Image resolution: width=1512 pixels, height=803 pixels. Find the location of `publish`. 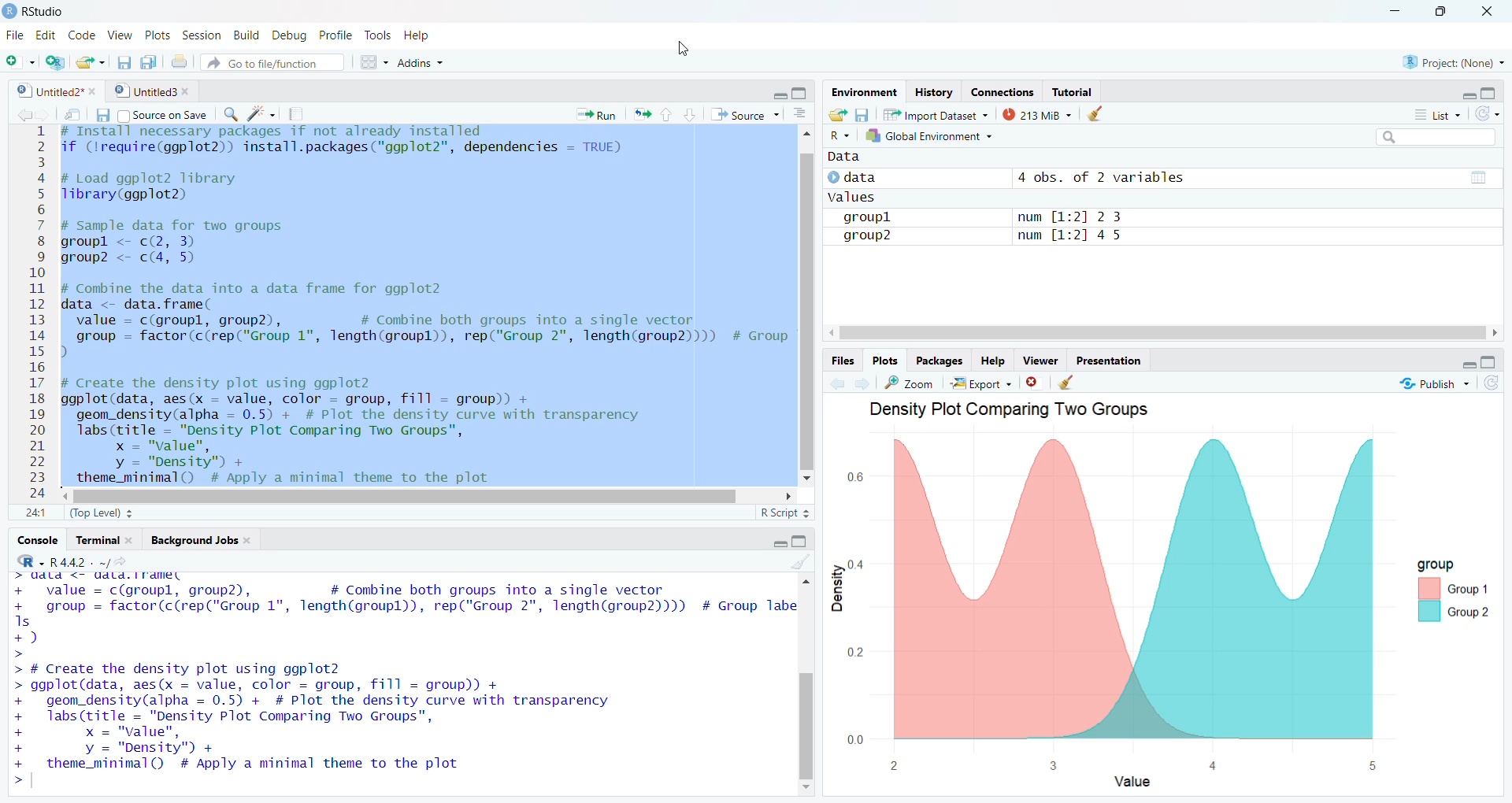

publish is located at coordinates (1434, 387).